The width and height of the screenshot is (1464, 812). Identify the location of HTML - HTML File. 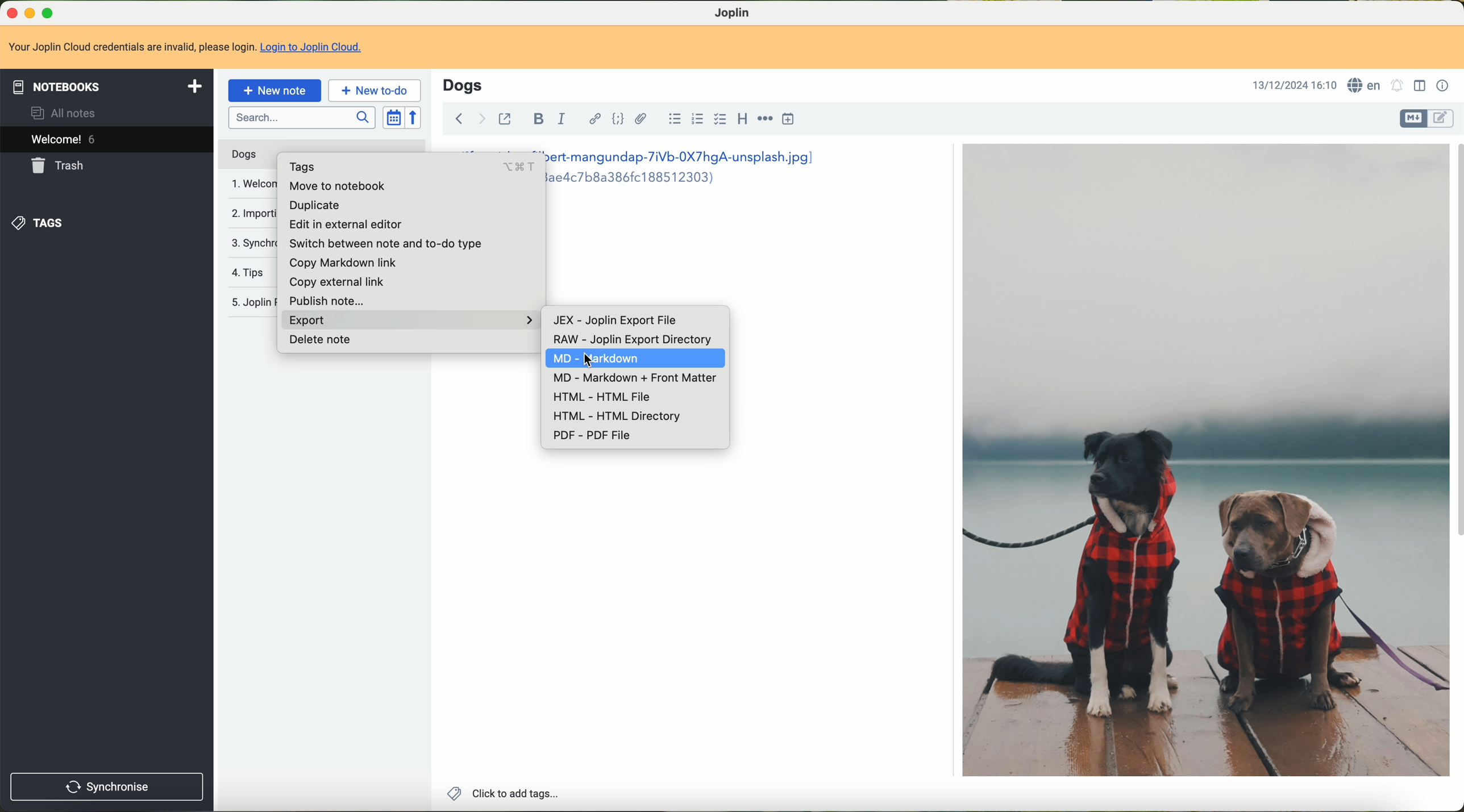
(602, 397).